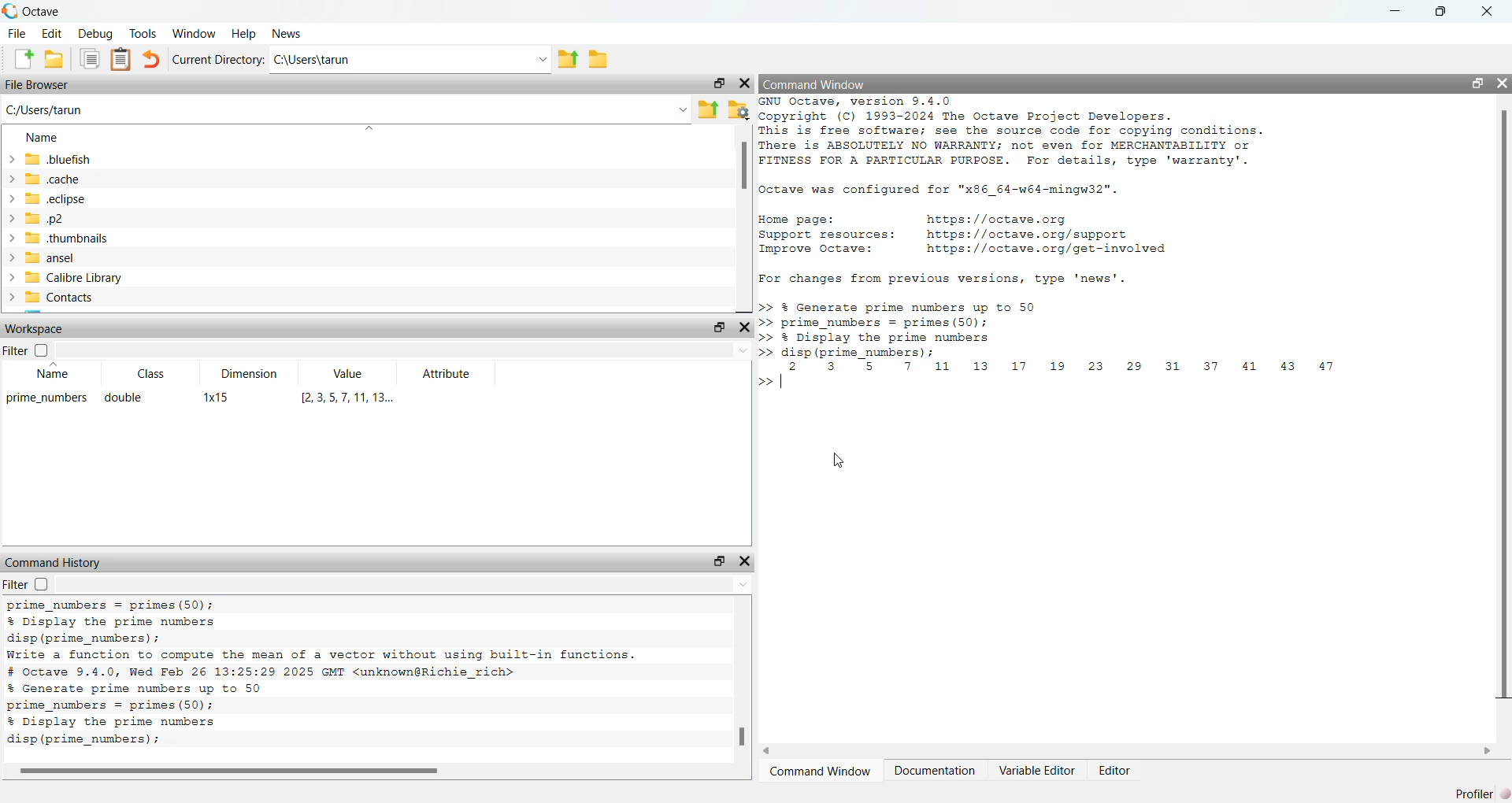 The width and height of the screenshot is (1512, 803). Describe the element at coordinates (52, 179) in the screenshot. I see `.cache` at that location.